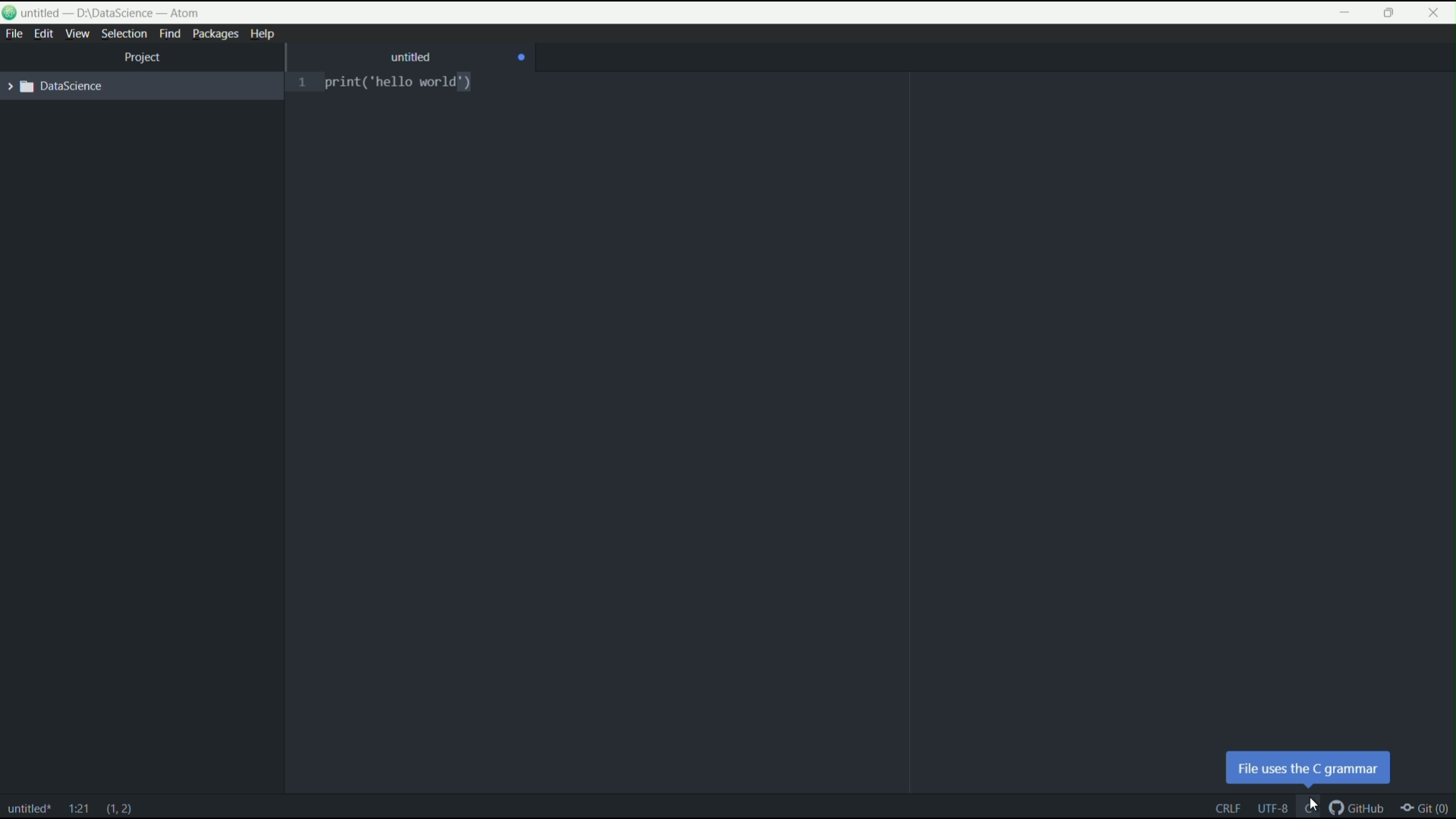  Describe the element at coordinates (261, 33) in the screenshot. I see `help menu` at that location.